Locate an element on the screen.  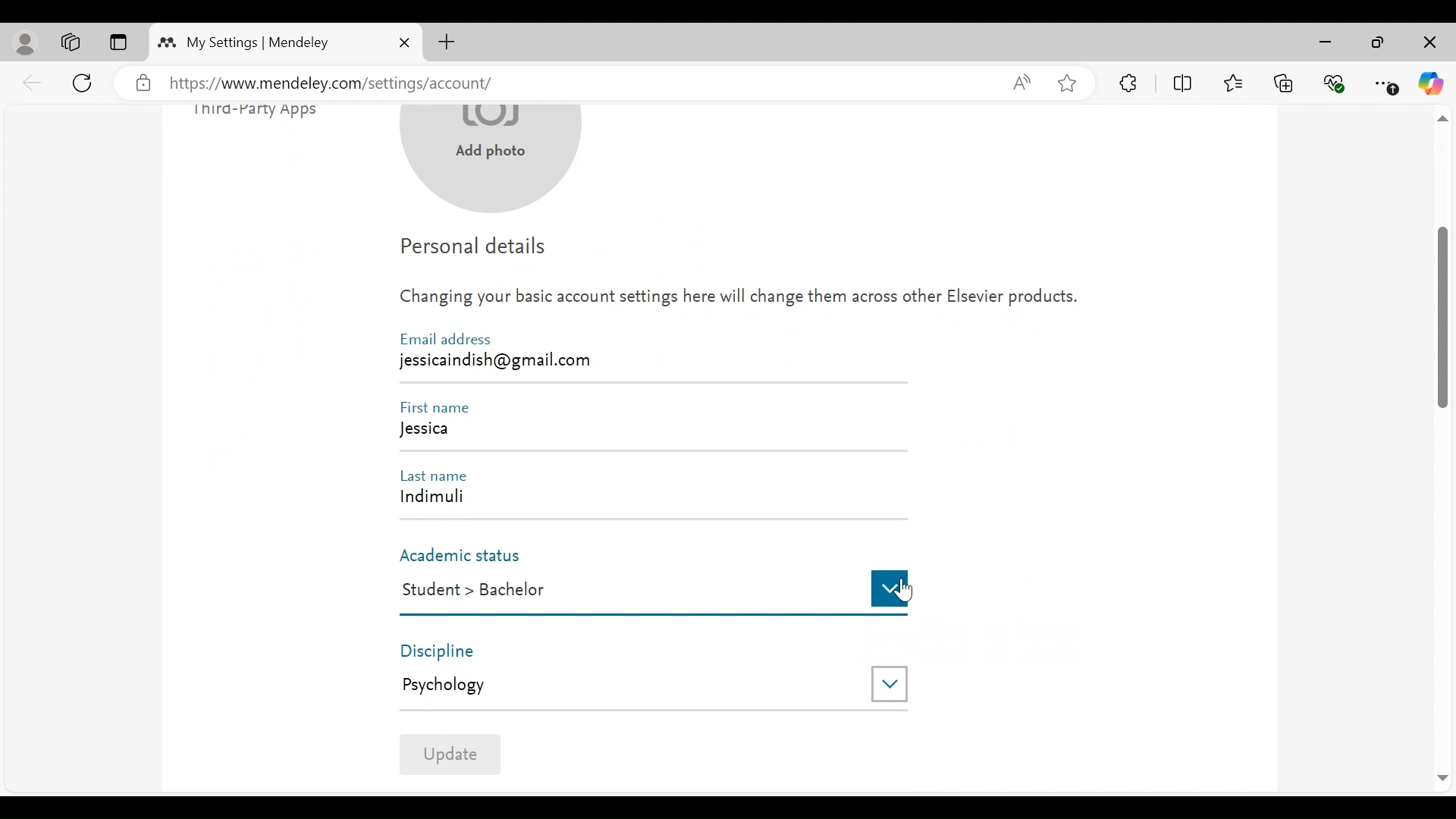
Collections is located at coordinates (1284, 82).